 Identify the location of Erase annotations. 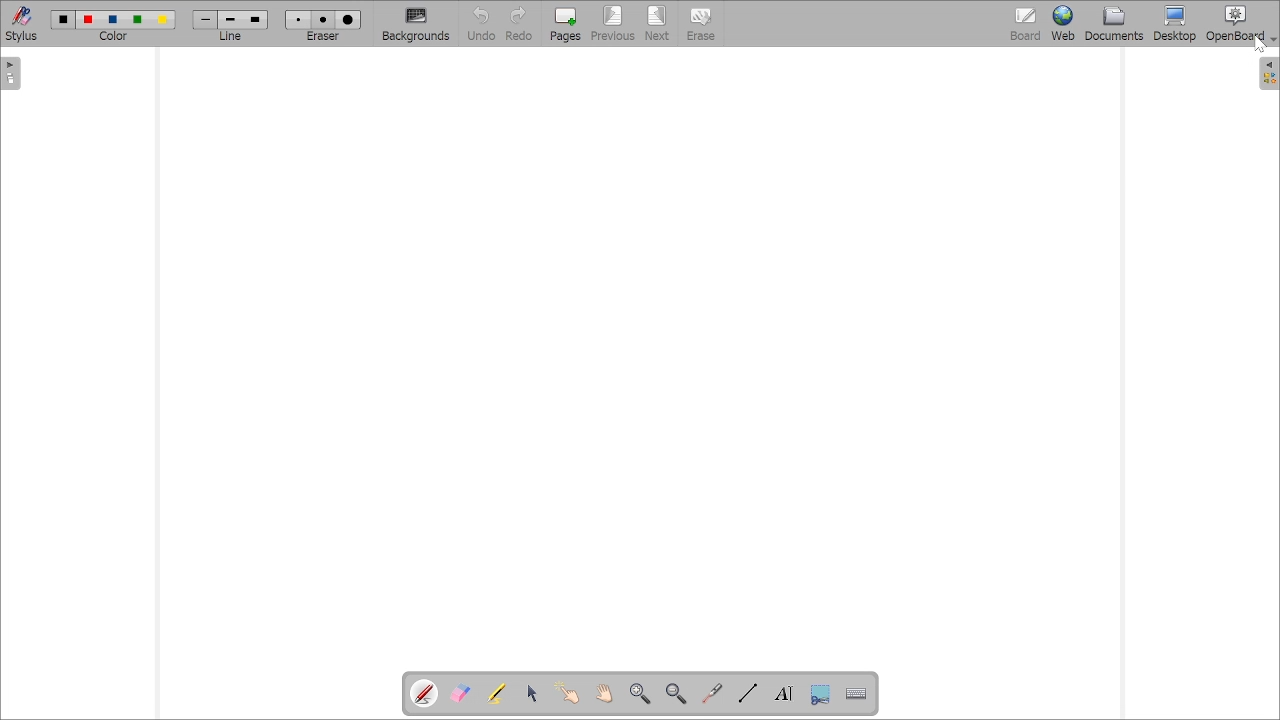
(457, 694).